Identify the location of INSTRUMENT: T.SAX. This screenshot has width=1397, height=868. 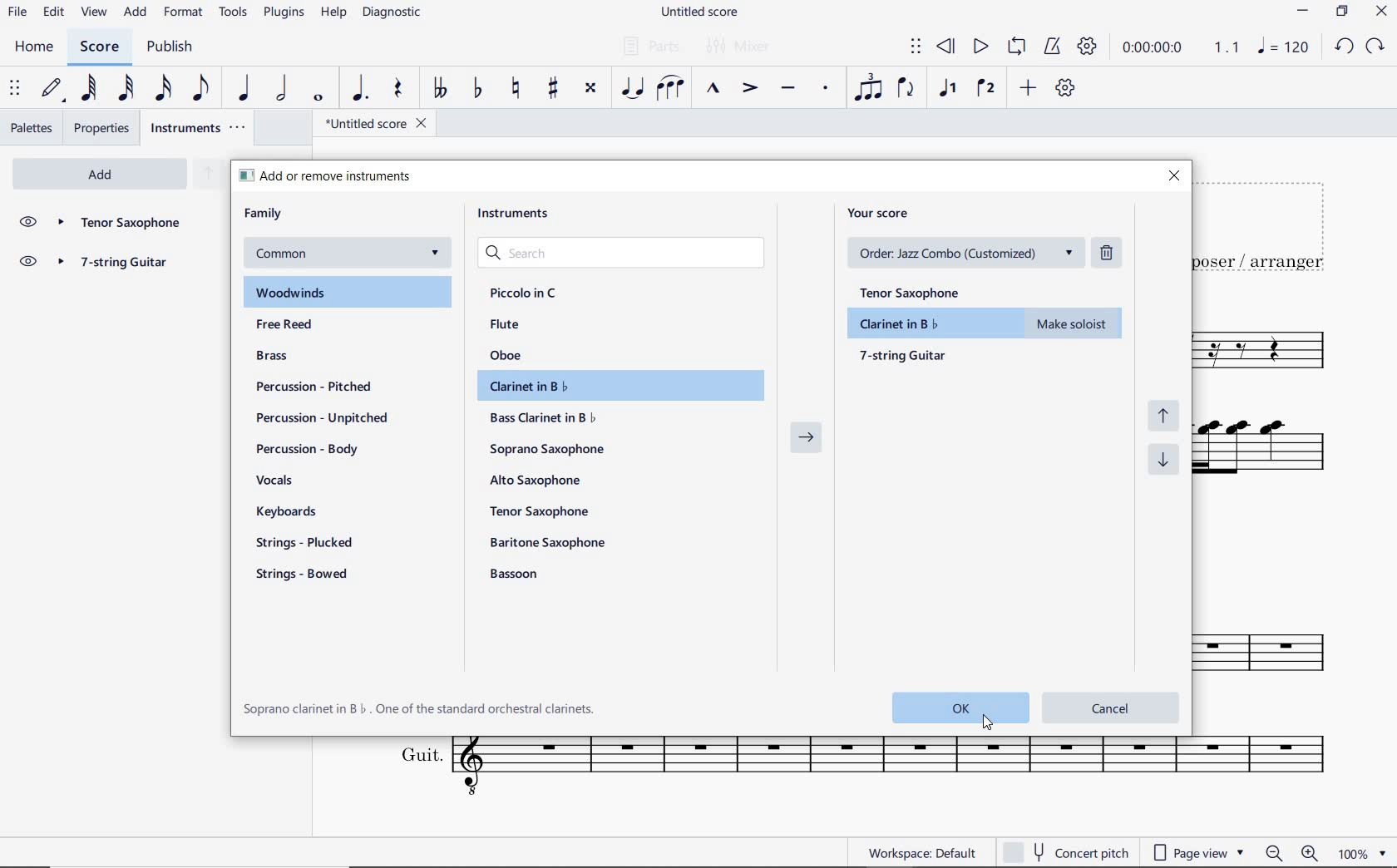
(1273, 640).